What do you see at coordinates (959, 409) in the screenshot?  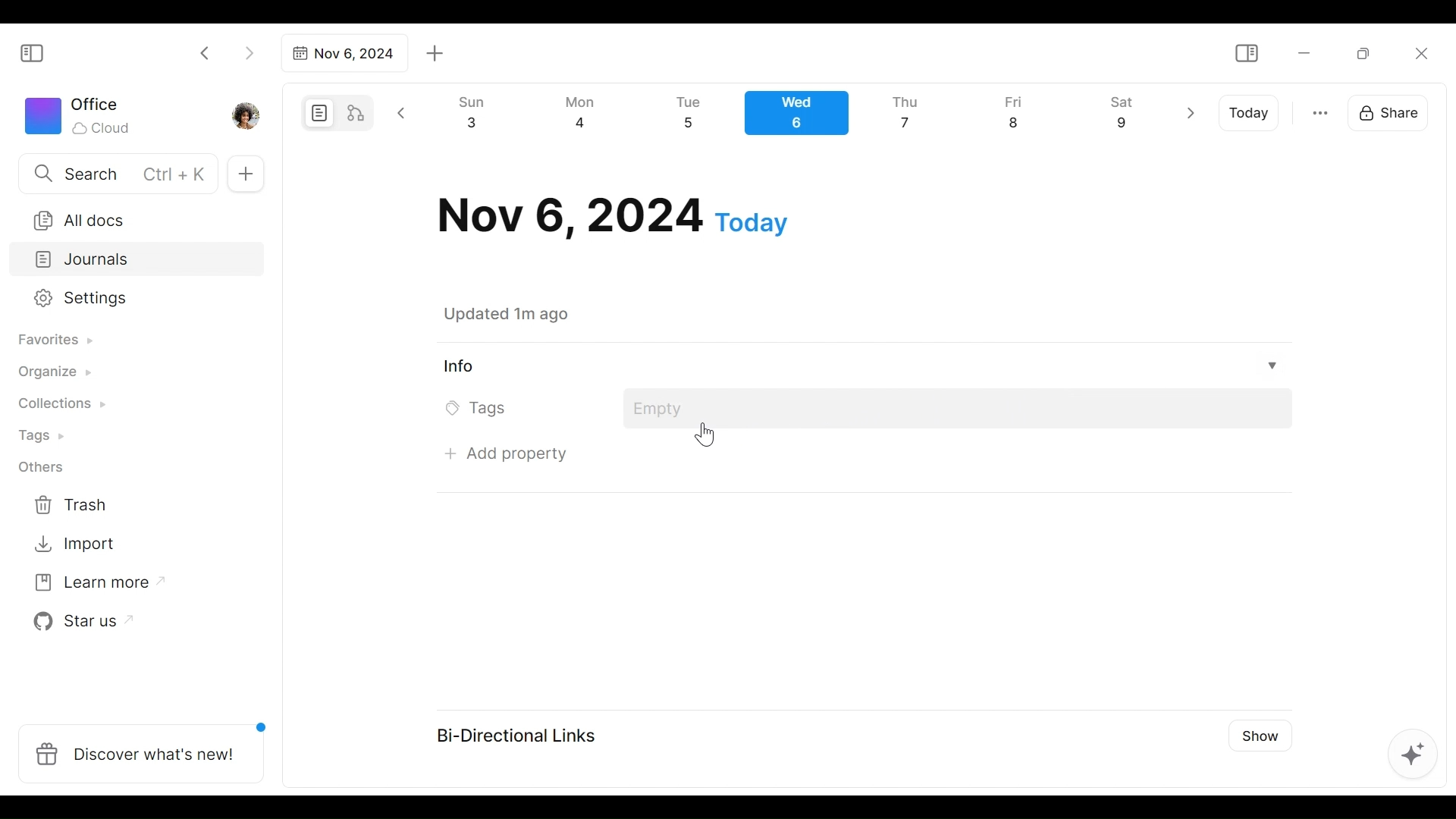 I see `Tag Field` at bounding box center [959, 409].